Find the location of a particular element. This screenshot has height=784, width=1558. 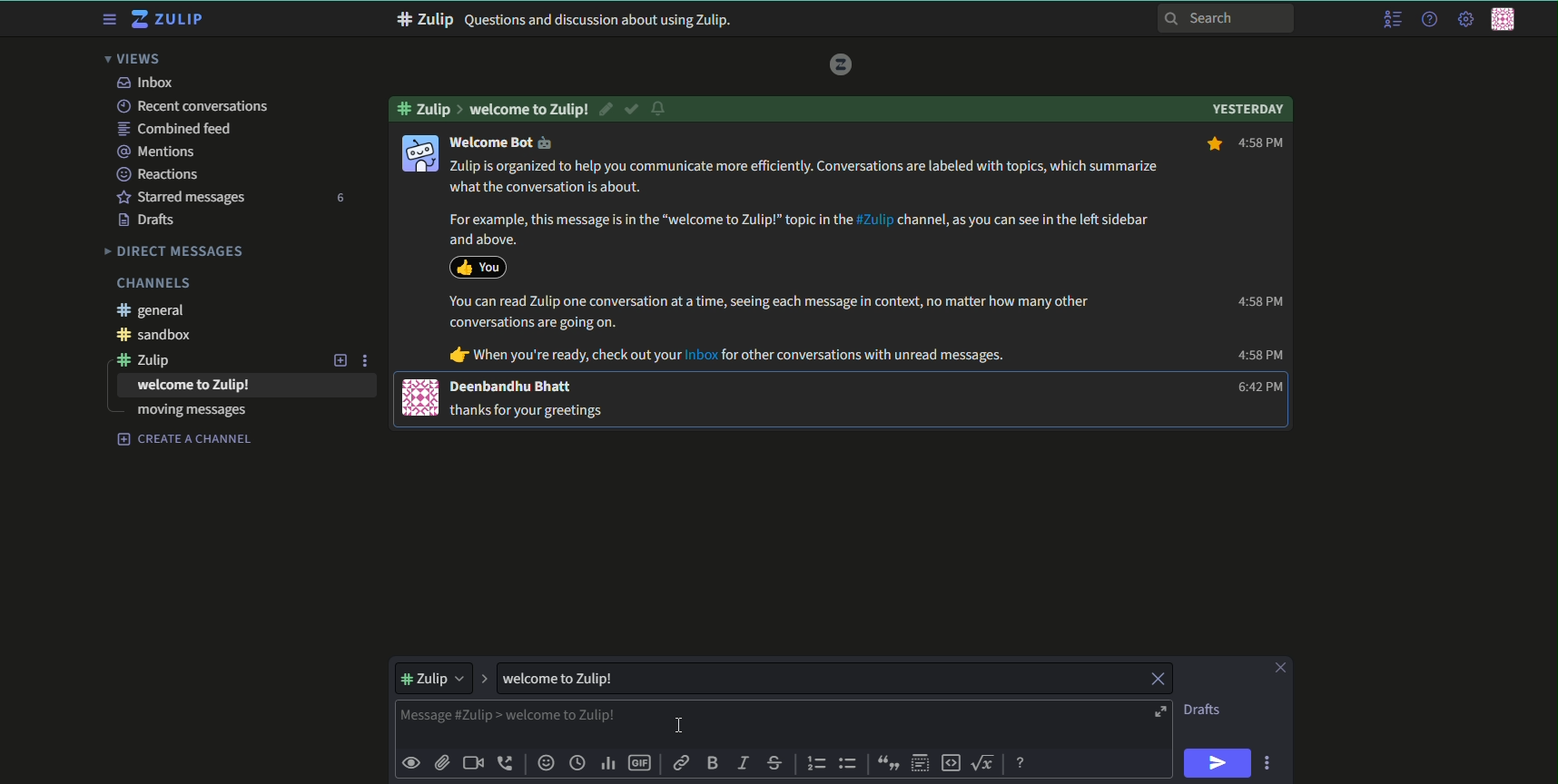

Reactions is located at coordinates (163, 173).